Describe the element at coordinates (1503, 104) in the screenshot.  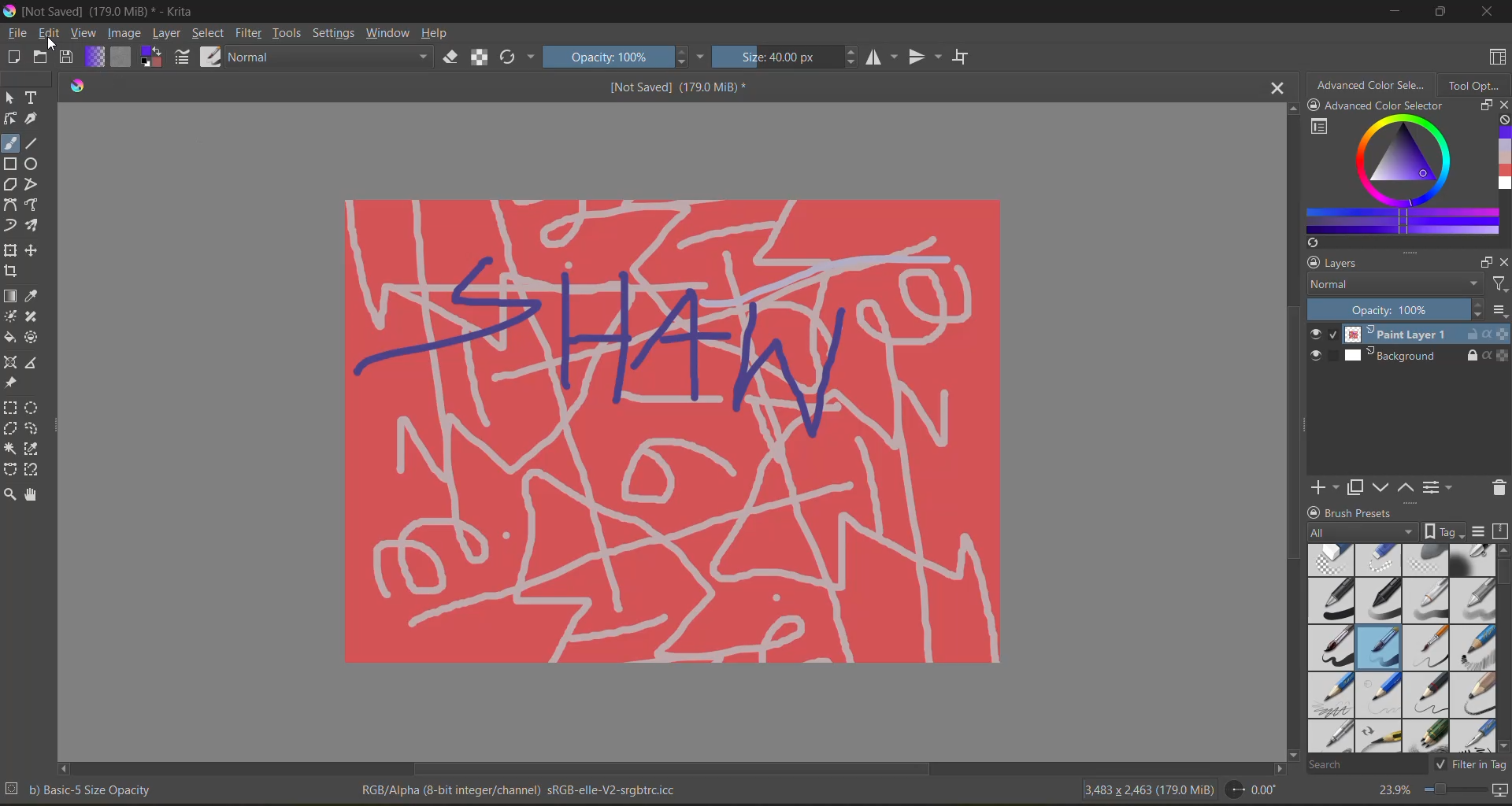
I see `close docker` at that location.